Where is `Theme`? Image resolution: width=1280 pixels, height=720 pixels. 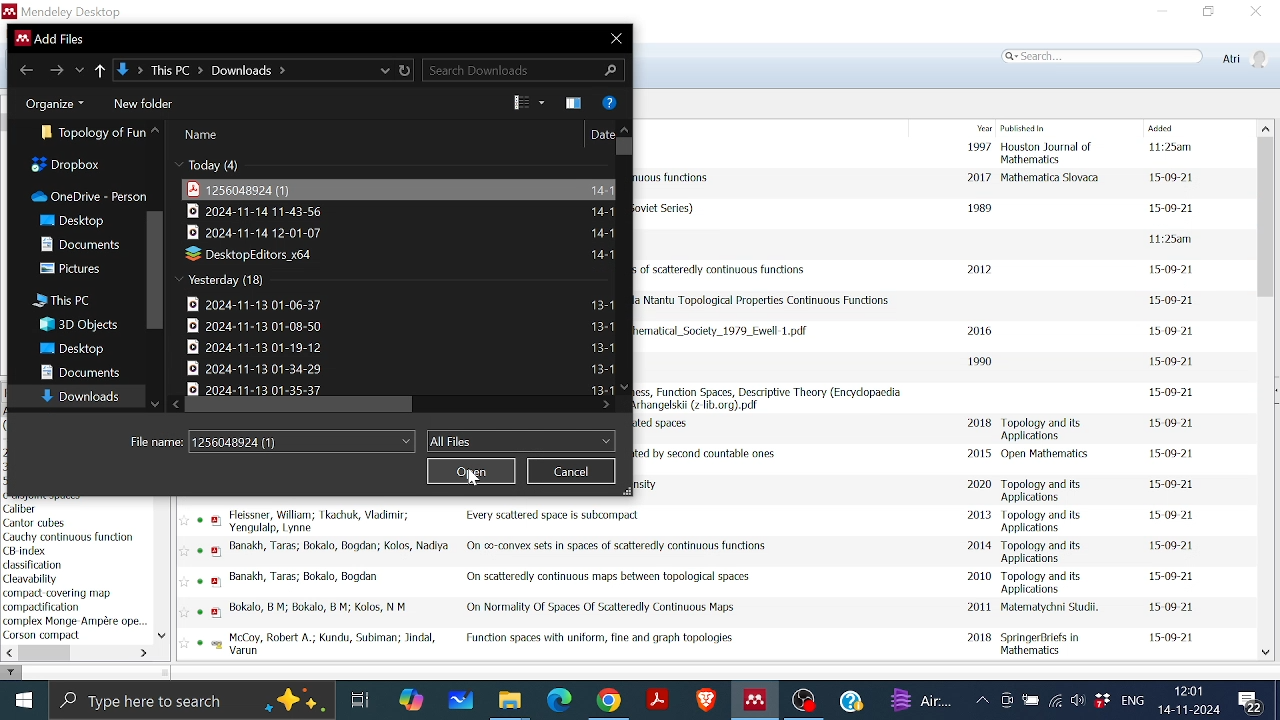
Theme is located at coordinates (569, 101).